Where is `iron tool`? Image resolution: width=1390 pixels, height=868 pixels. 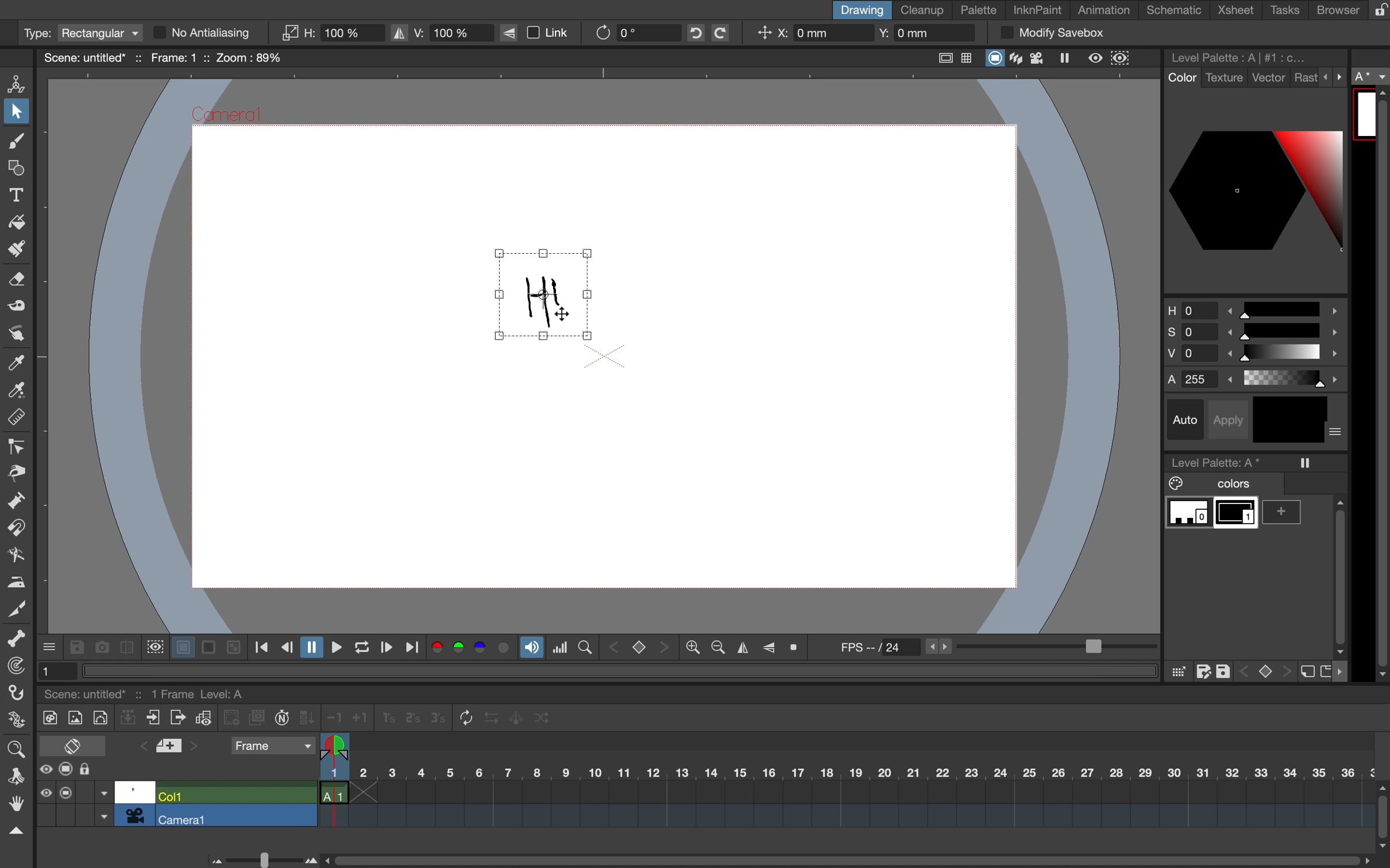 iron tool is located at coordinates (17, 580).